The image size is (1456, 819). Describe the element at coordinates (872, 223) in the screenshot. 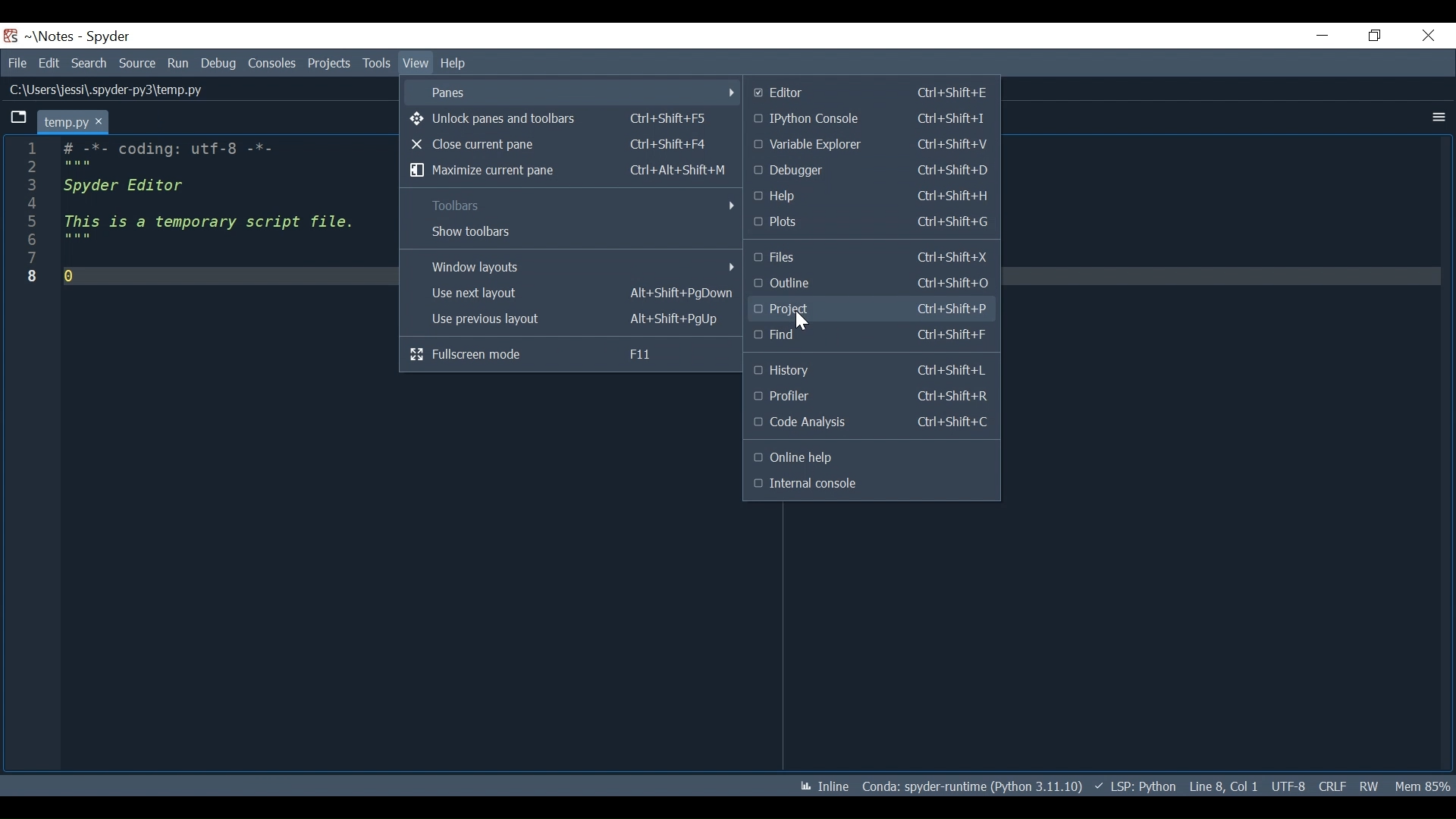

I see `Plots` at that location.